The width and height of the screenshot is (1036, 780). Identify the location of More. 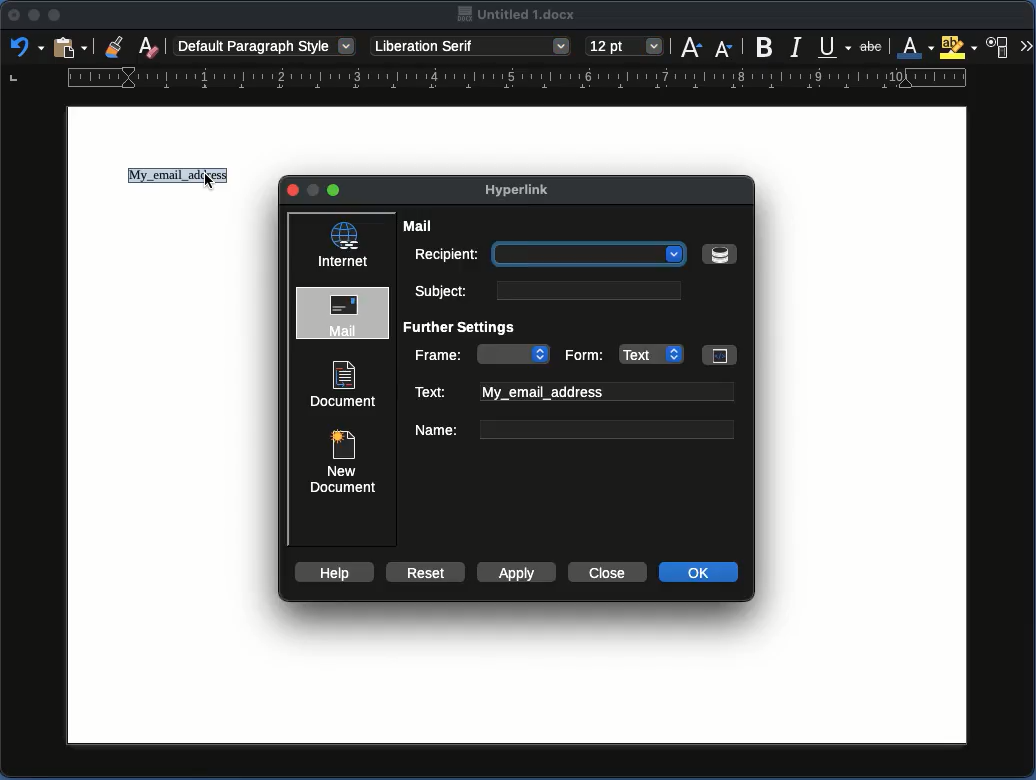
(1026, 44).